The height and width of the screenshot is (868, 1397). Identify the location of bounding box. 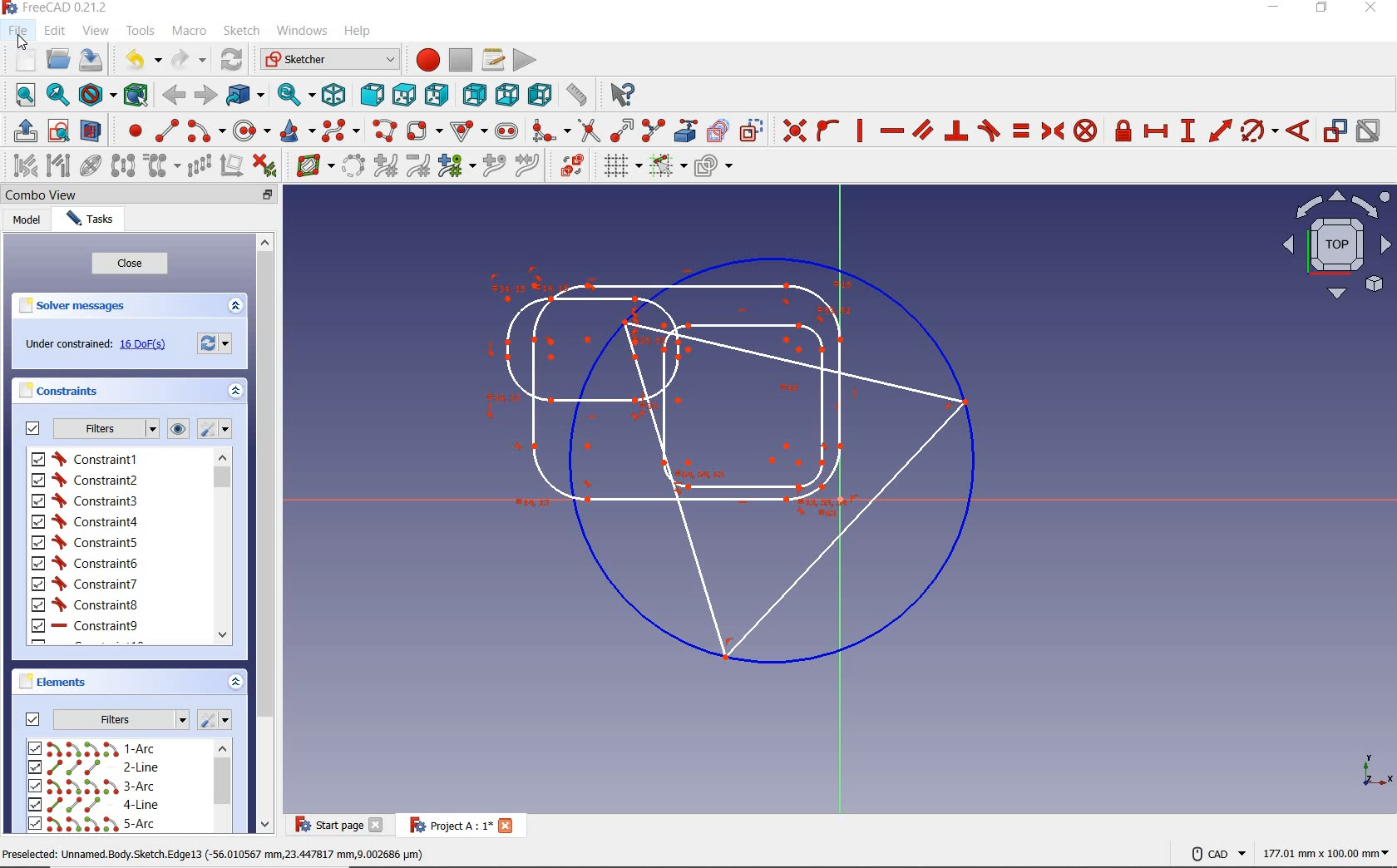
(137, 93).